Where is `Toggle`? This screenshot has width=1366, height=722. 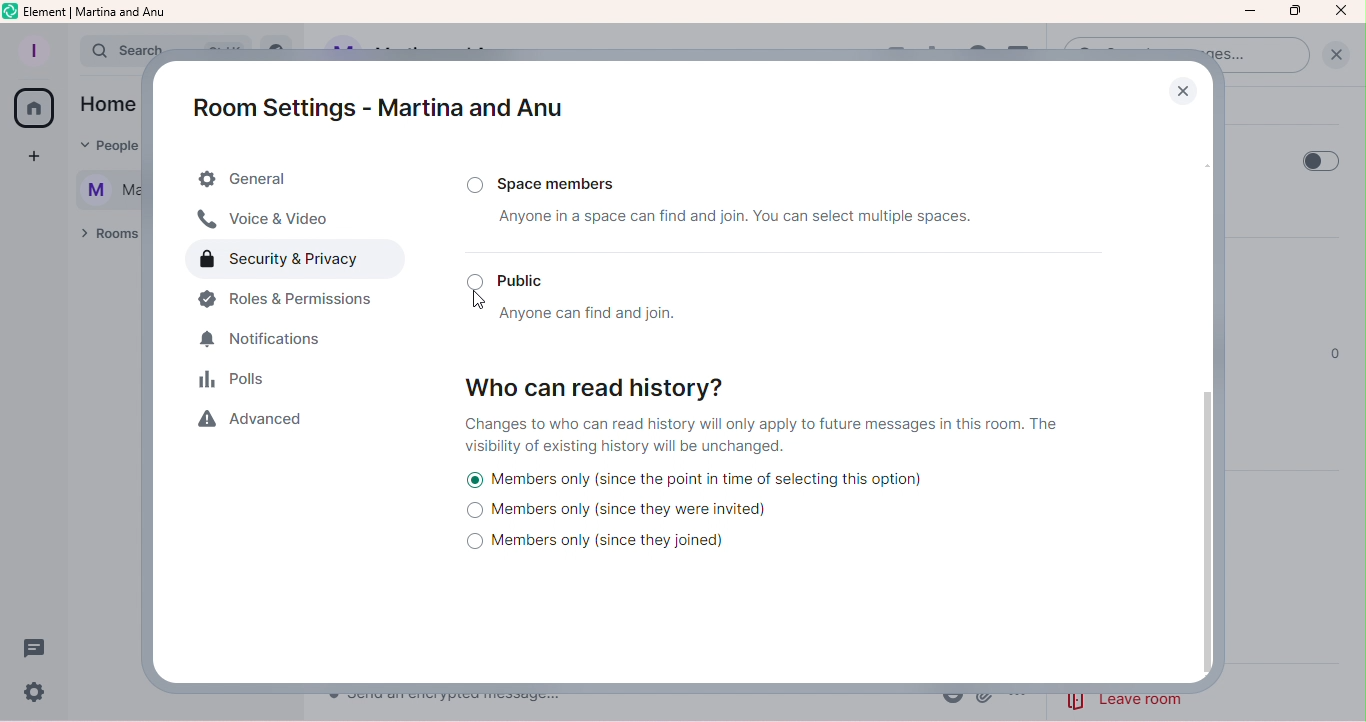 Toggle is located at coordinates (1313, 161).